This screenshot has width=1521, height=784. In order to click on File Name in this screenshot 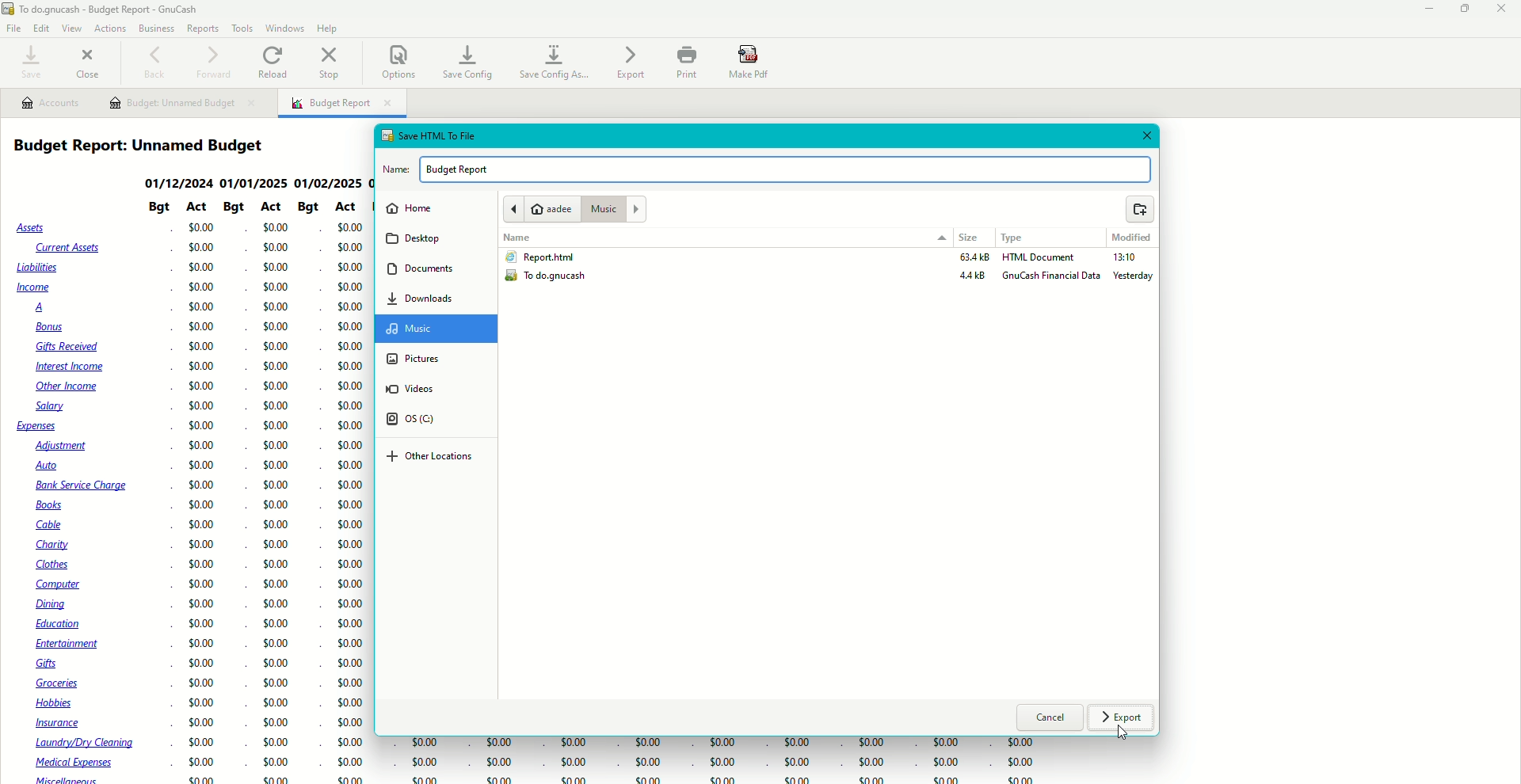, I will do `click(768, 169)`.